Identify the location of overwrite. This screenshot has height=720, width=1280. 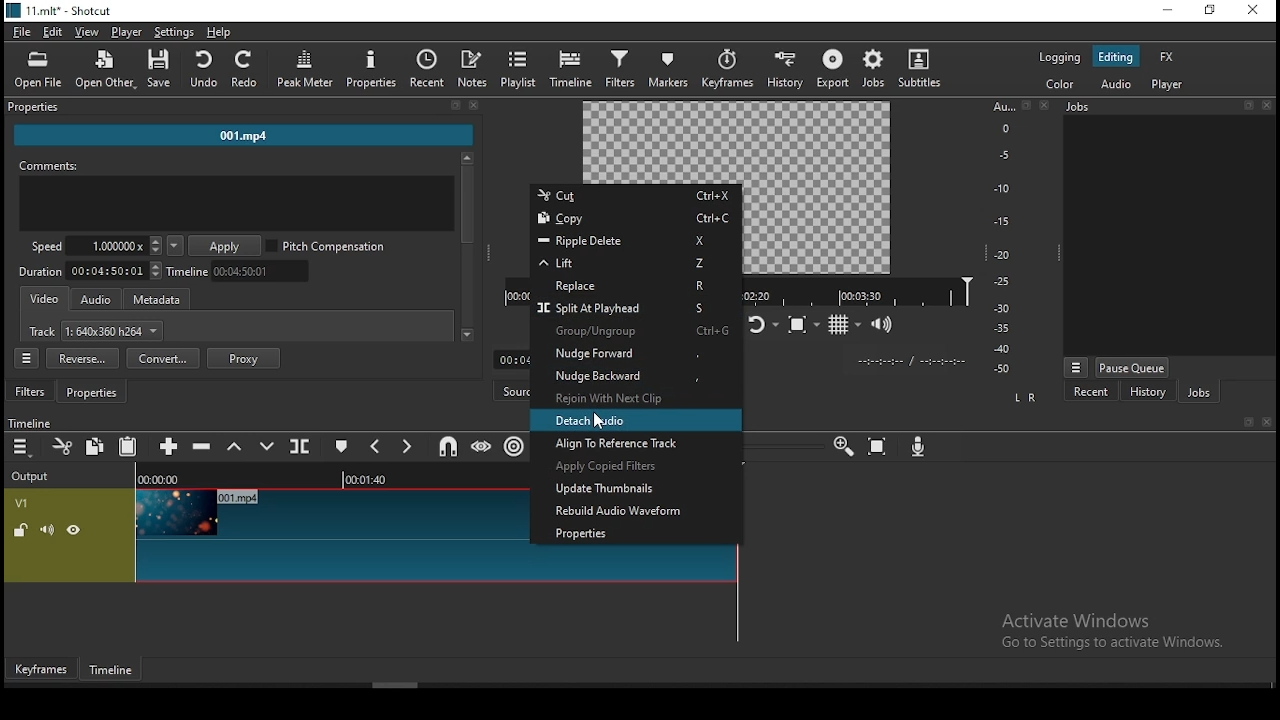
(267, 447).